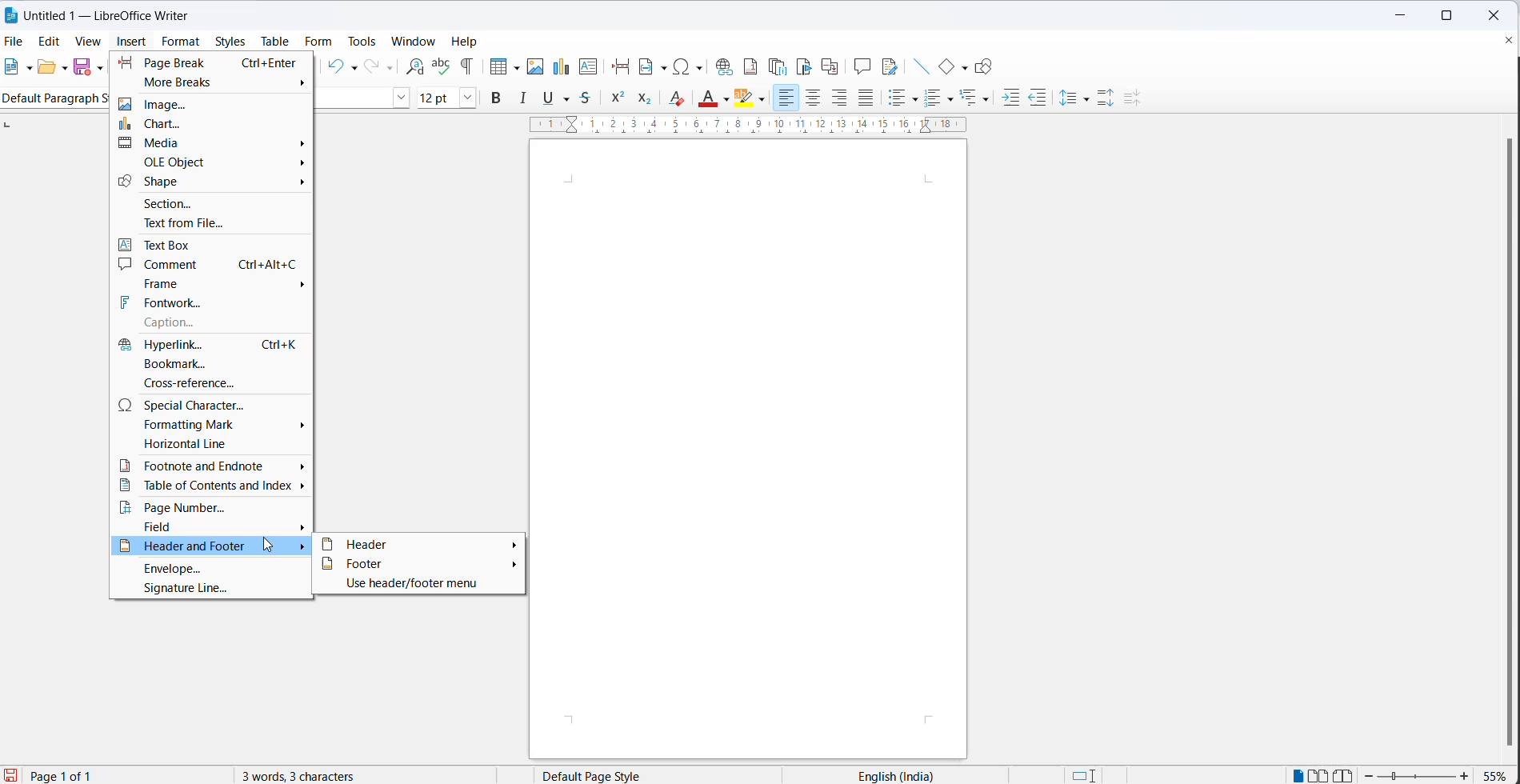  I want to click on decrease paragraph spacing, so click(1135, 97).